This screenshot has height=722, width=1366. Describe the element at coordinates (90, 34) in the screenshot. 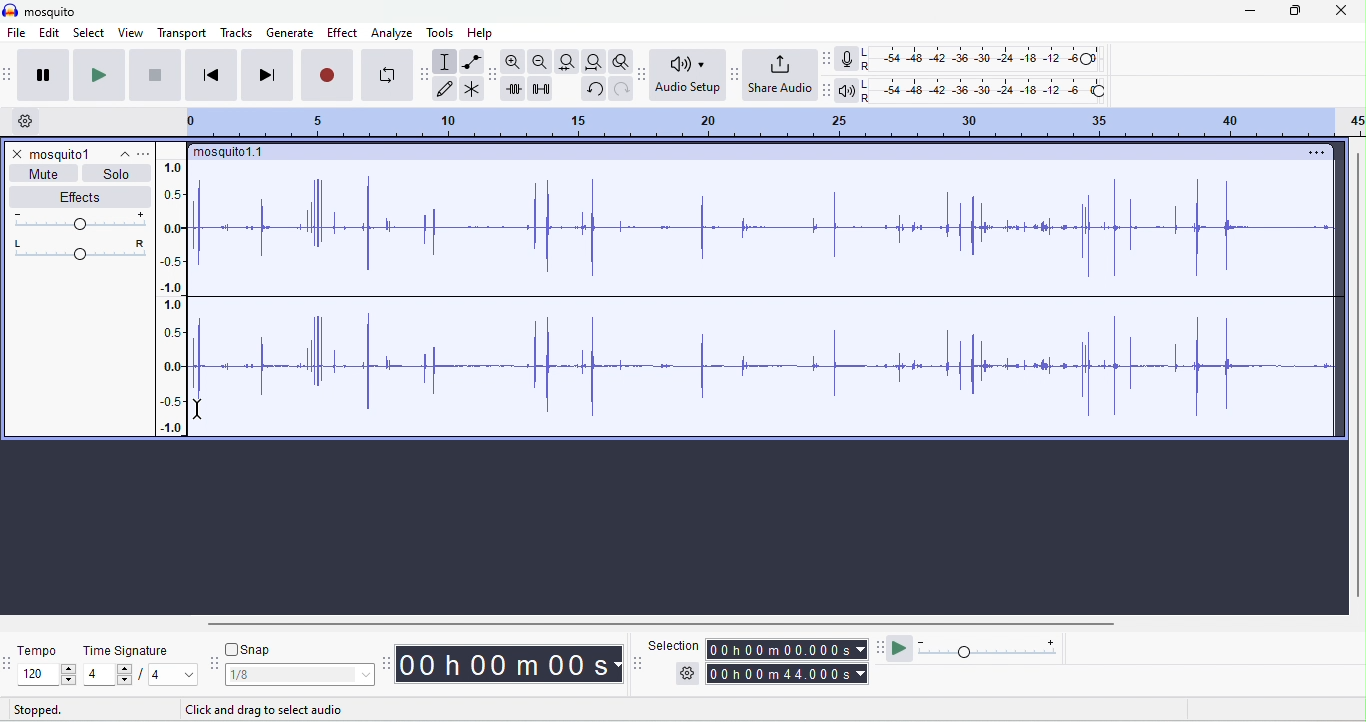

I see `select` at that location.